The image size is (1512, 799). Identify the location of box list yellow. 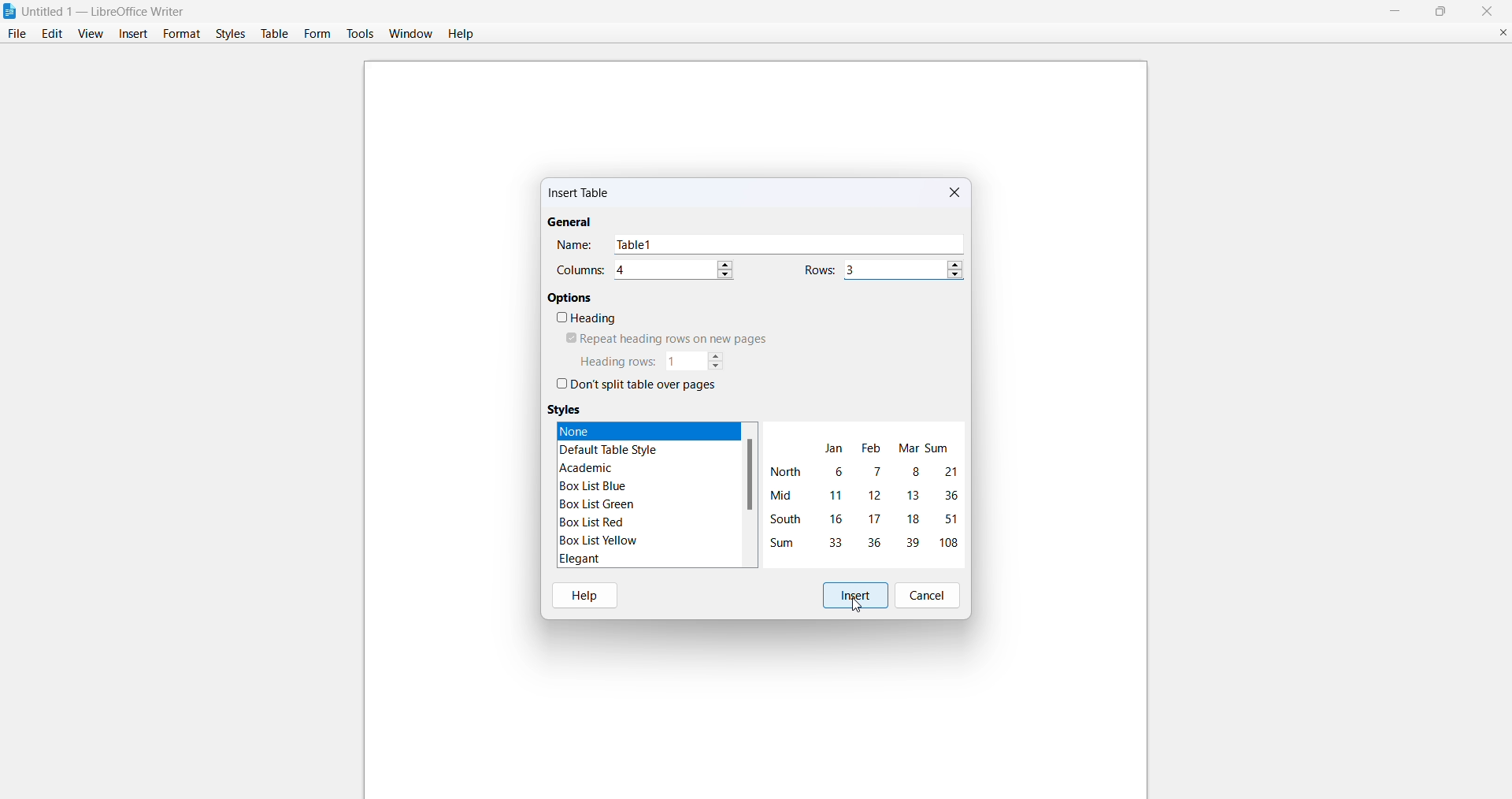
(596, 541).